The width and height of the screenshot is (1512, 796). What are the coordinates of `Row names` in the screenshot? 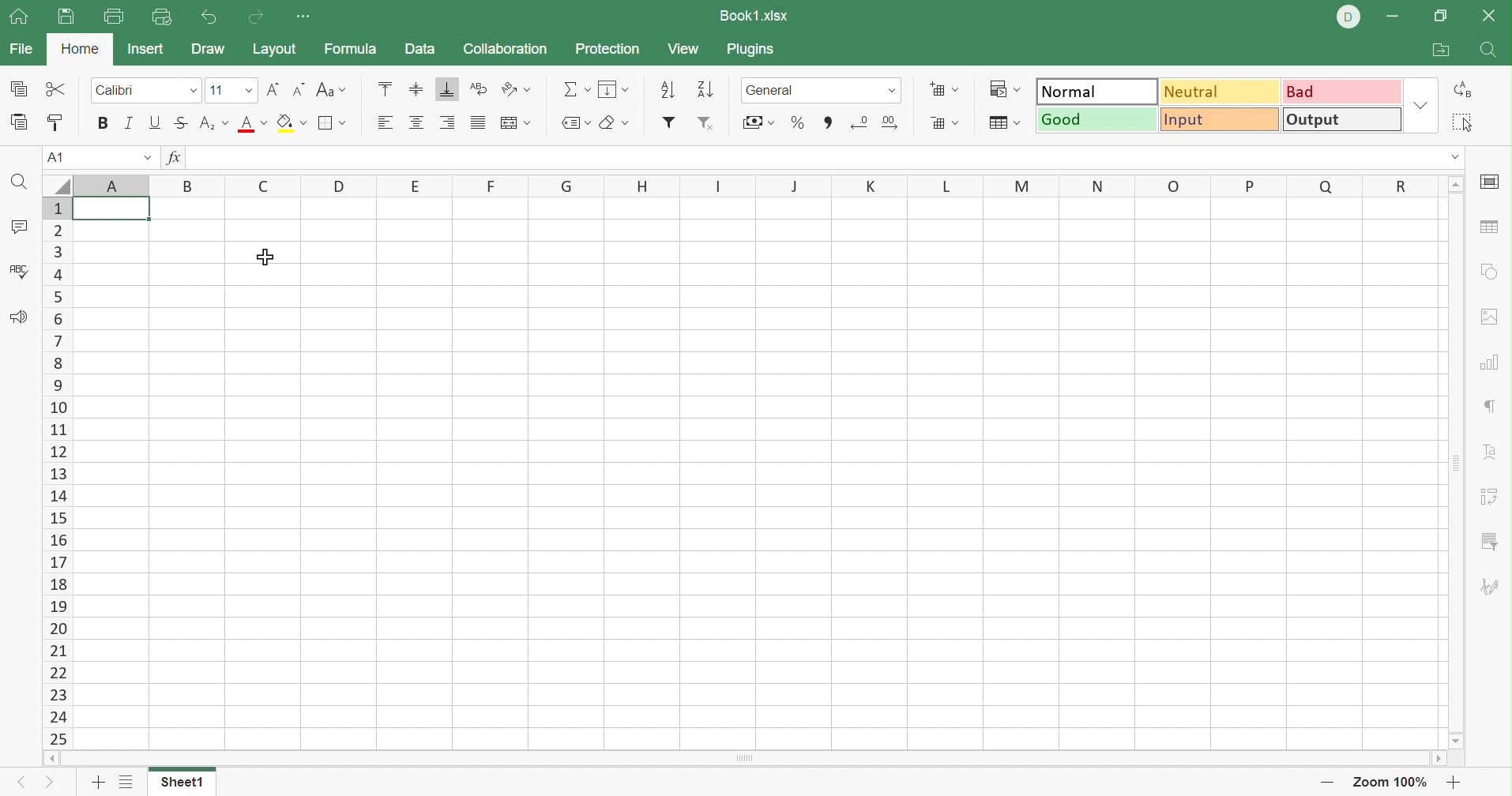 It's located at (57, 472).